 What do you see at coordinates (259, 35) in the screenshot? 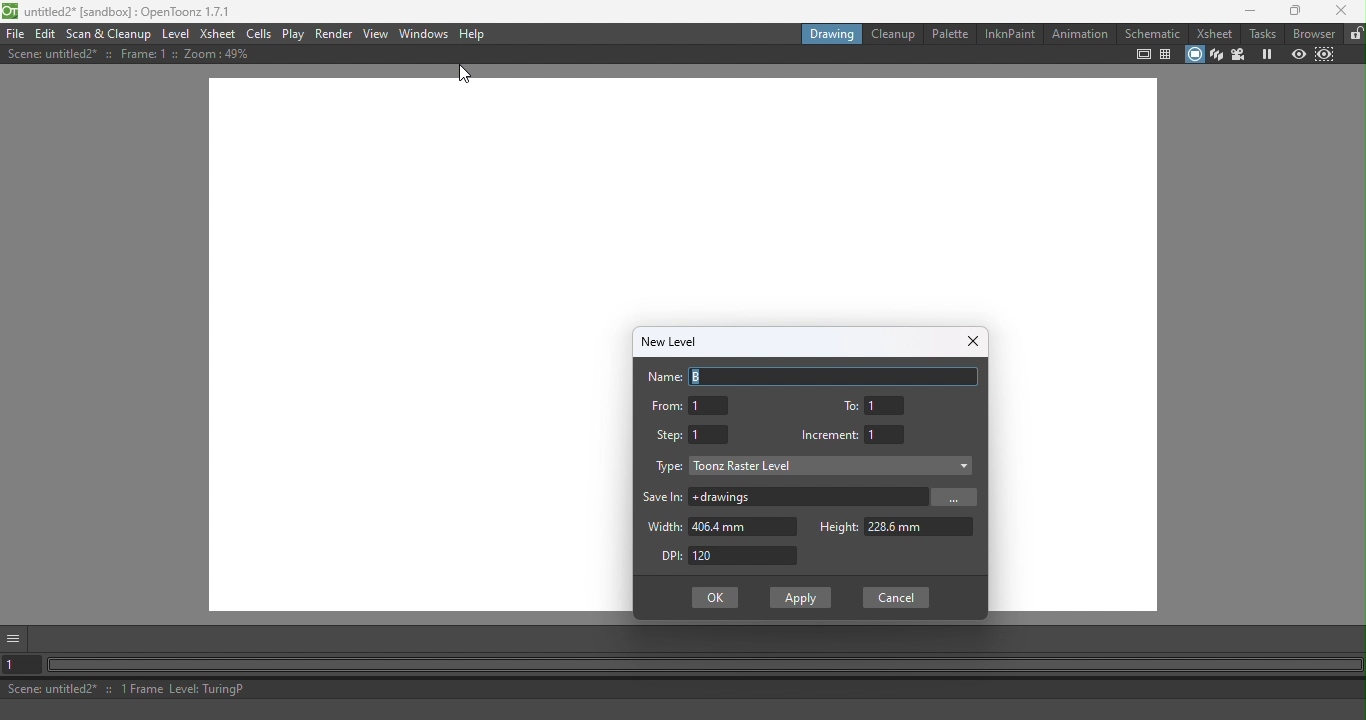
I see `Cells` at bounding box center [259, 35].